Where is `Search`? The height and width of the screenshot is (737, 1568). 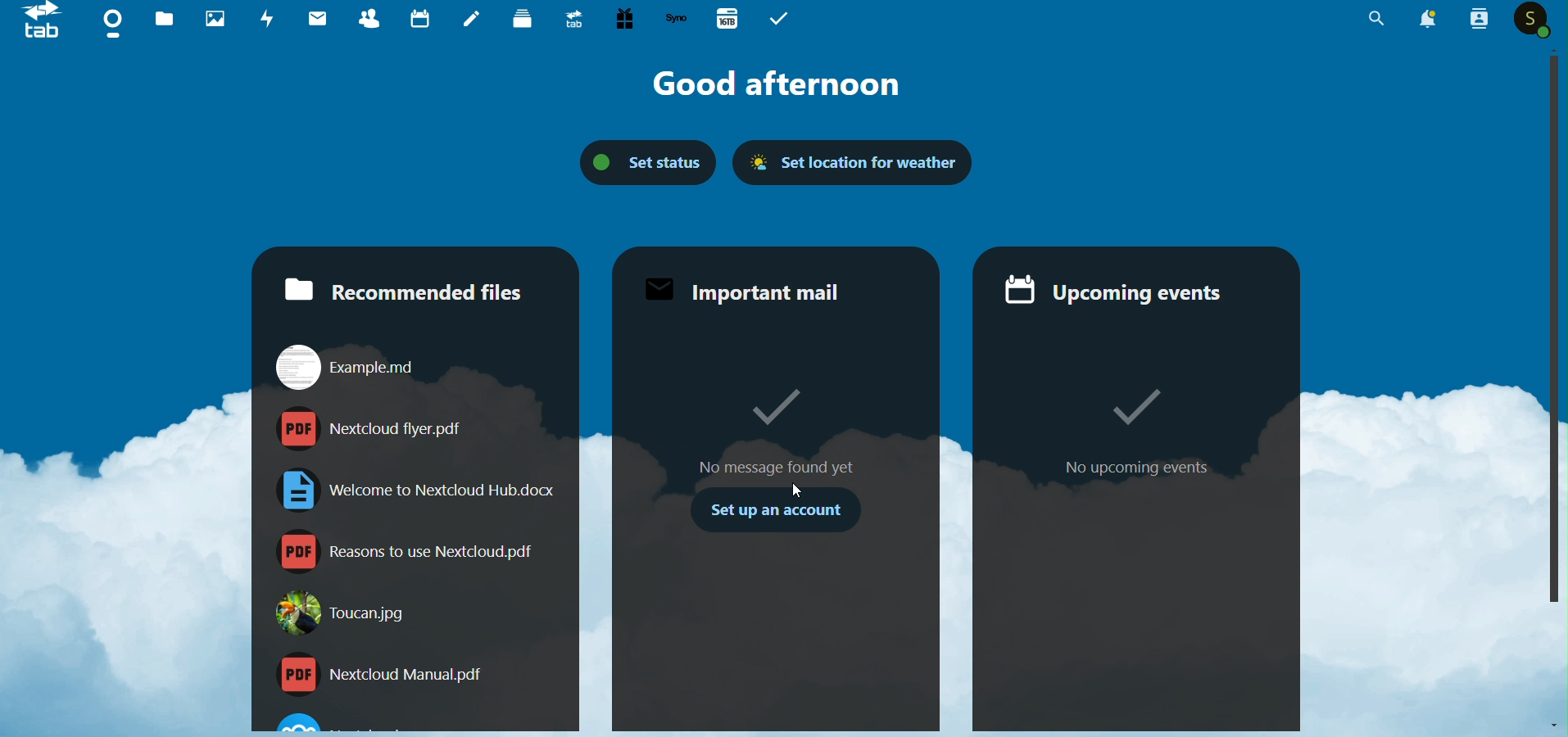
Search is located at coordinates (1366, 19).